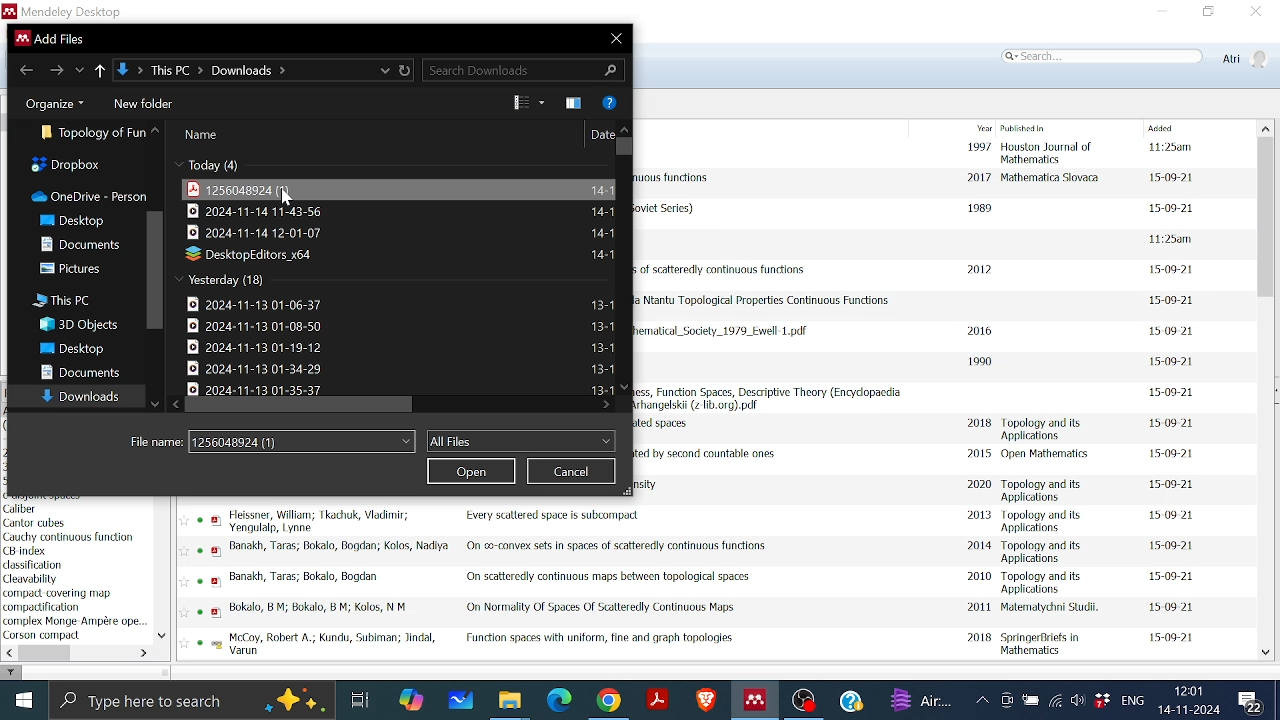 The height and width of the screenshot is (720, 1280). I want to click on File, so click(603, 348).